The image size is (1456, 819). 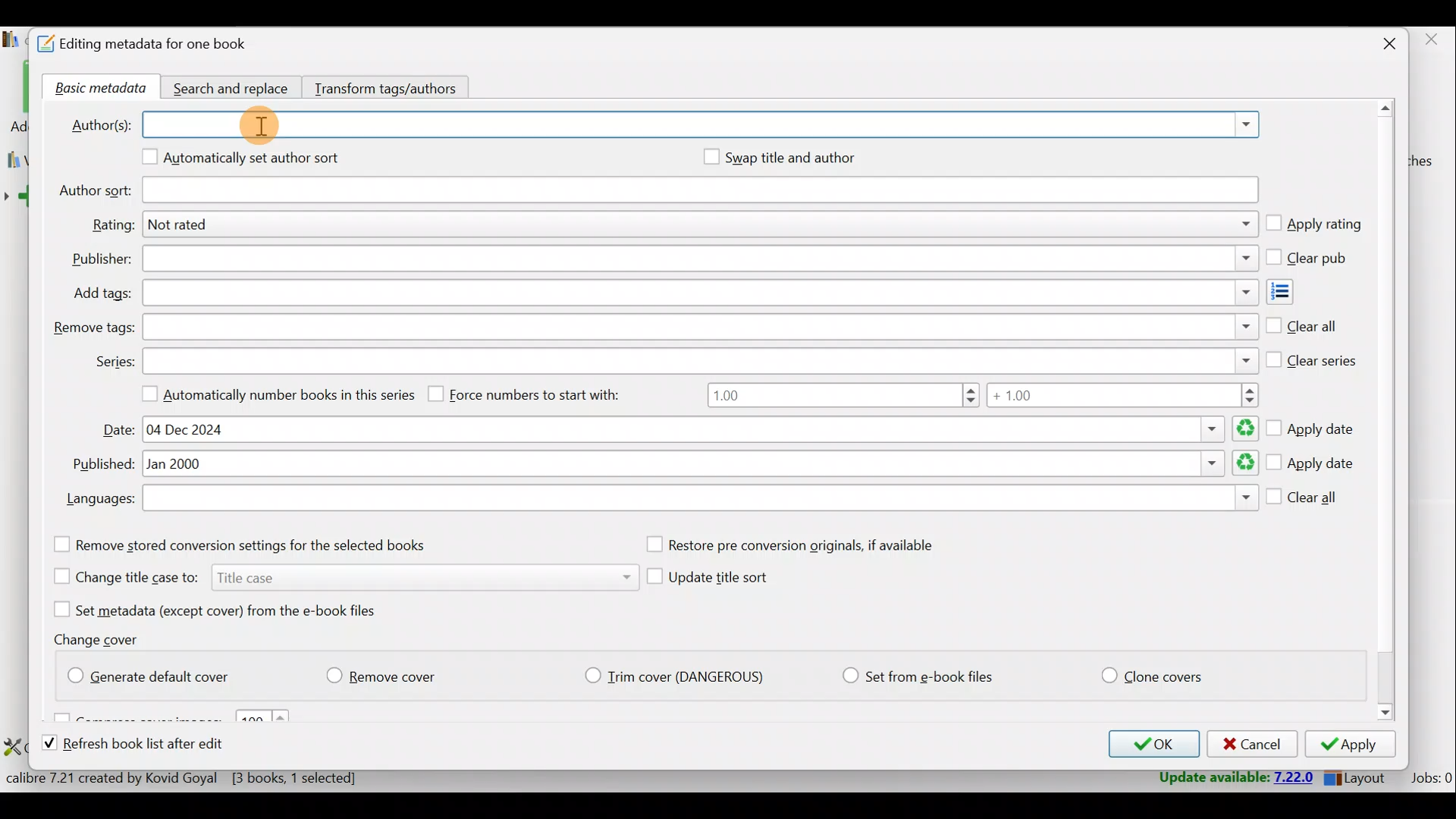 I want to click on Clone covers, so click(x=1149, y=673).